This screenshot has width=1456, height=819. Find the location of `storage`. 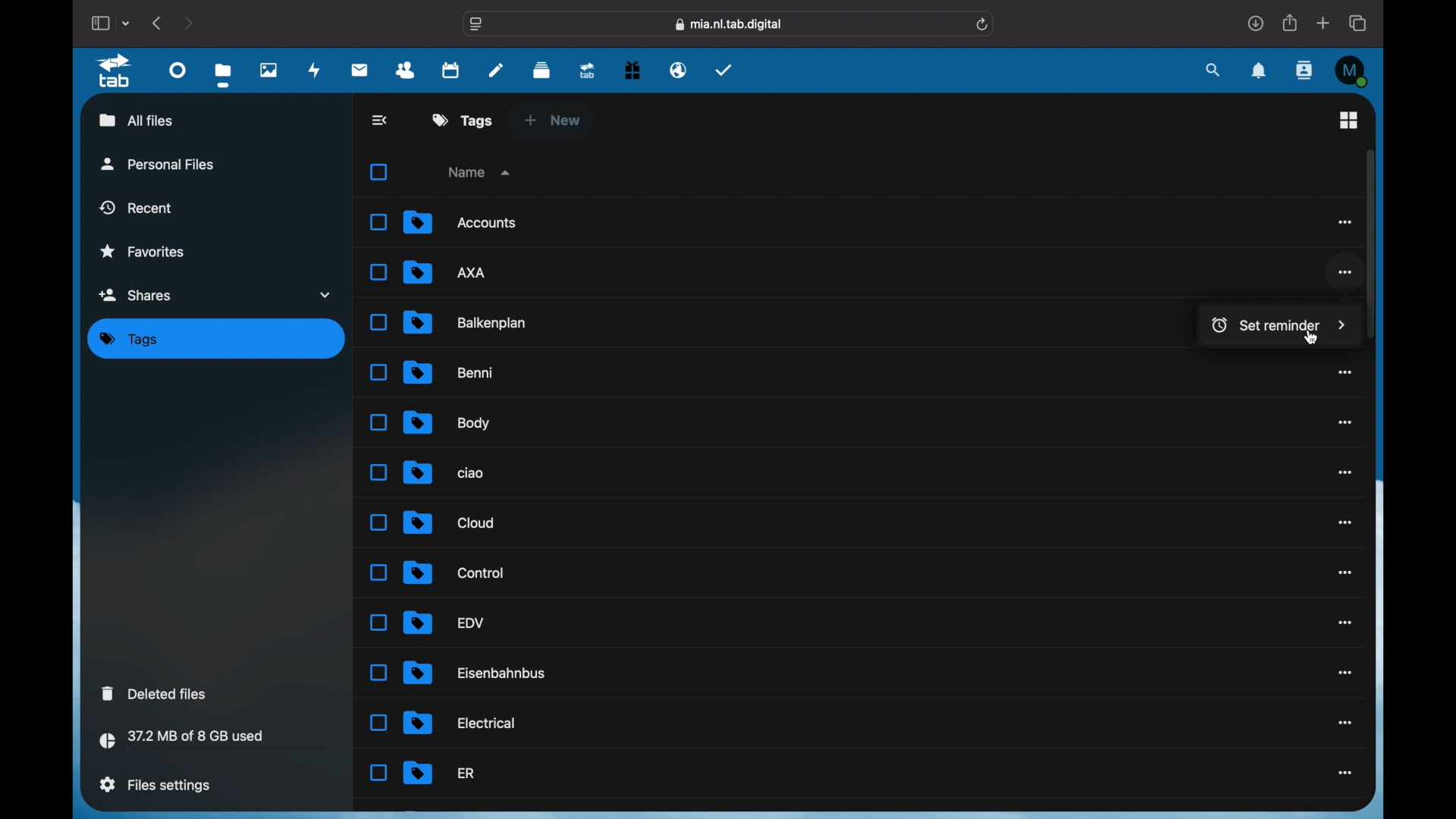

storage is located at coordinates (213, 742).